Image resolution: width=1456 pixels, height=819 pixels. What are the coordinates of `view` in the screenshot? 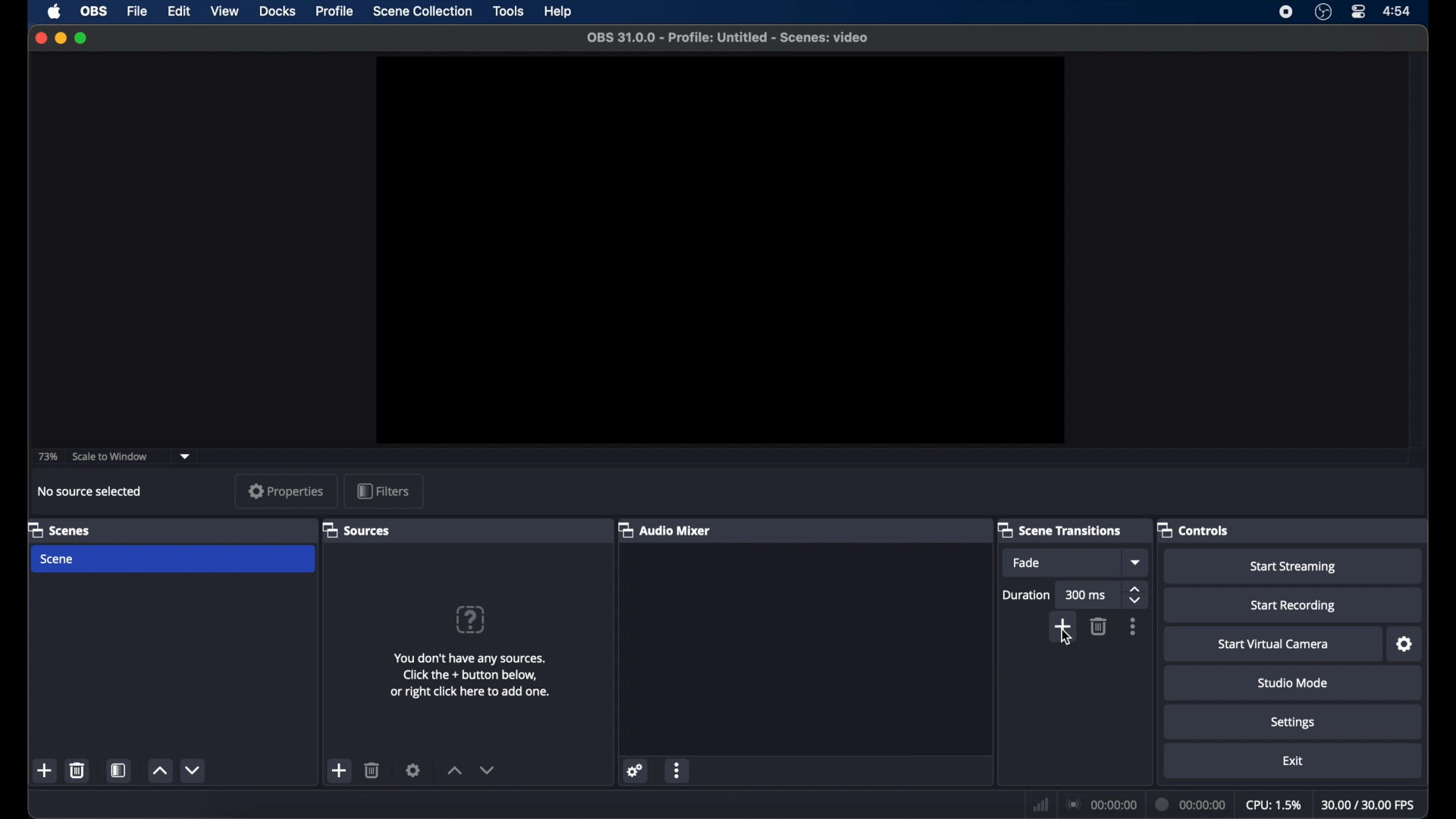 It's located at (226, 11).